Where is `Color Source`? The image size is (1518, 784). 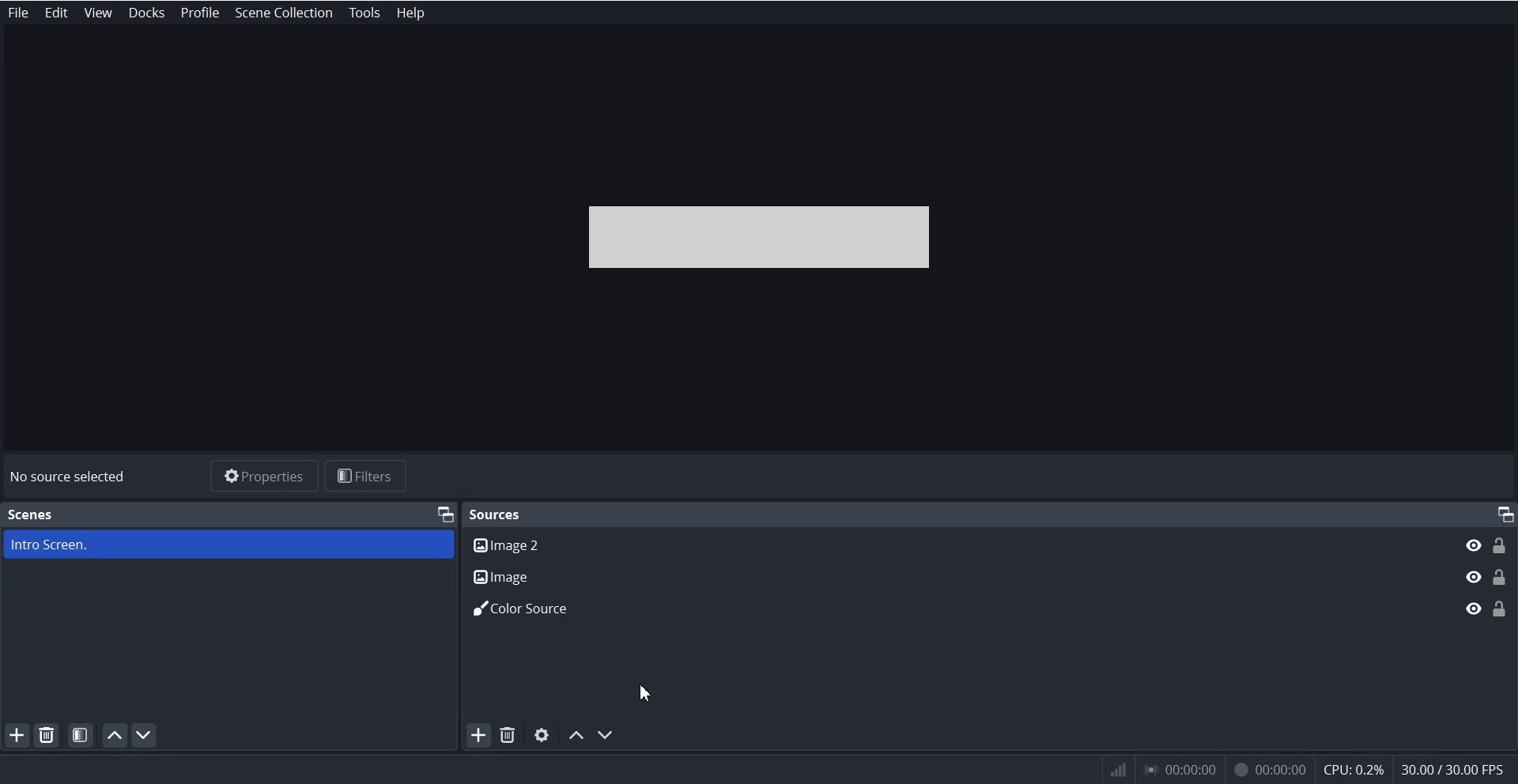
Color Source is located at coordinates (955, 611).